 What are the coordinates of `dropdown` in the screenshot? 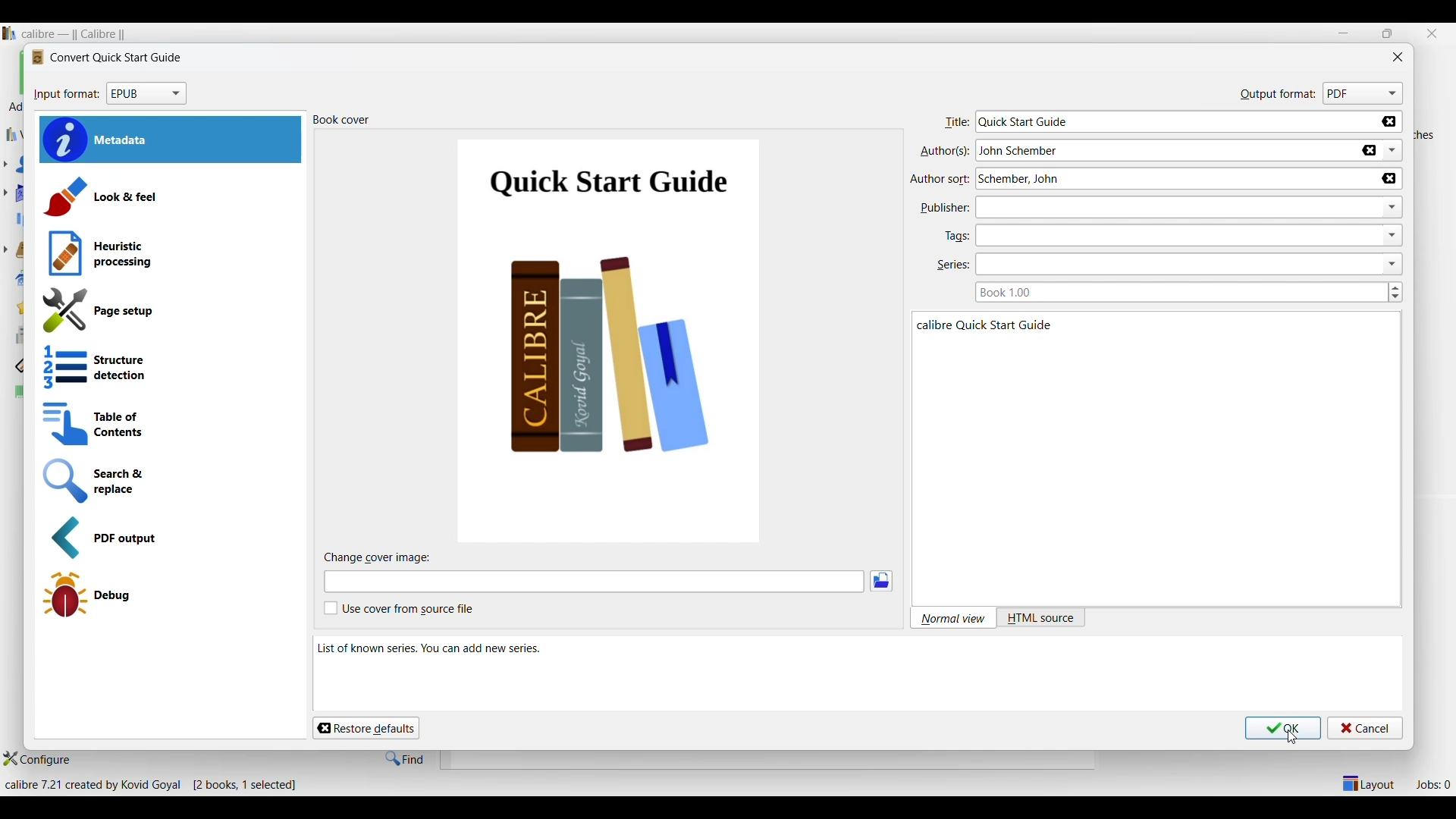 It's located at (1395, 234).